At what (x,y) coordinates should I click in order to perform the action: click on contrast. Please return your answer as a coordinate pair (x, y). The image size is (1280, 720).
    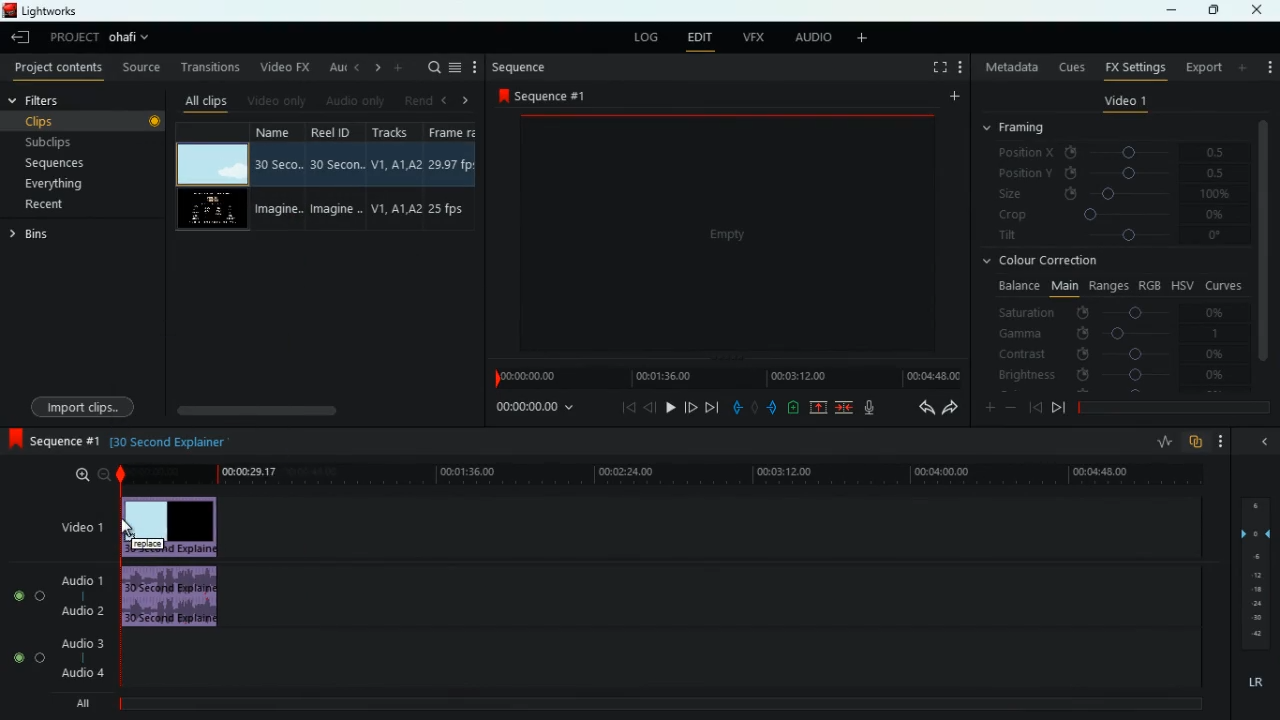
    Looking at the image, I should click on (1110, 355).